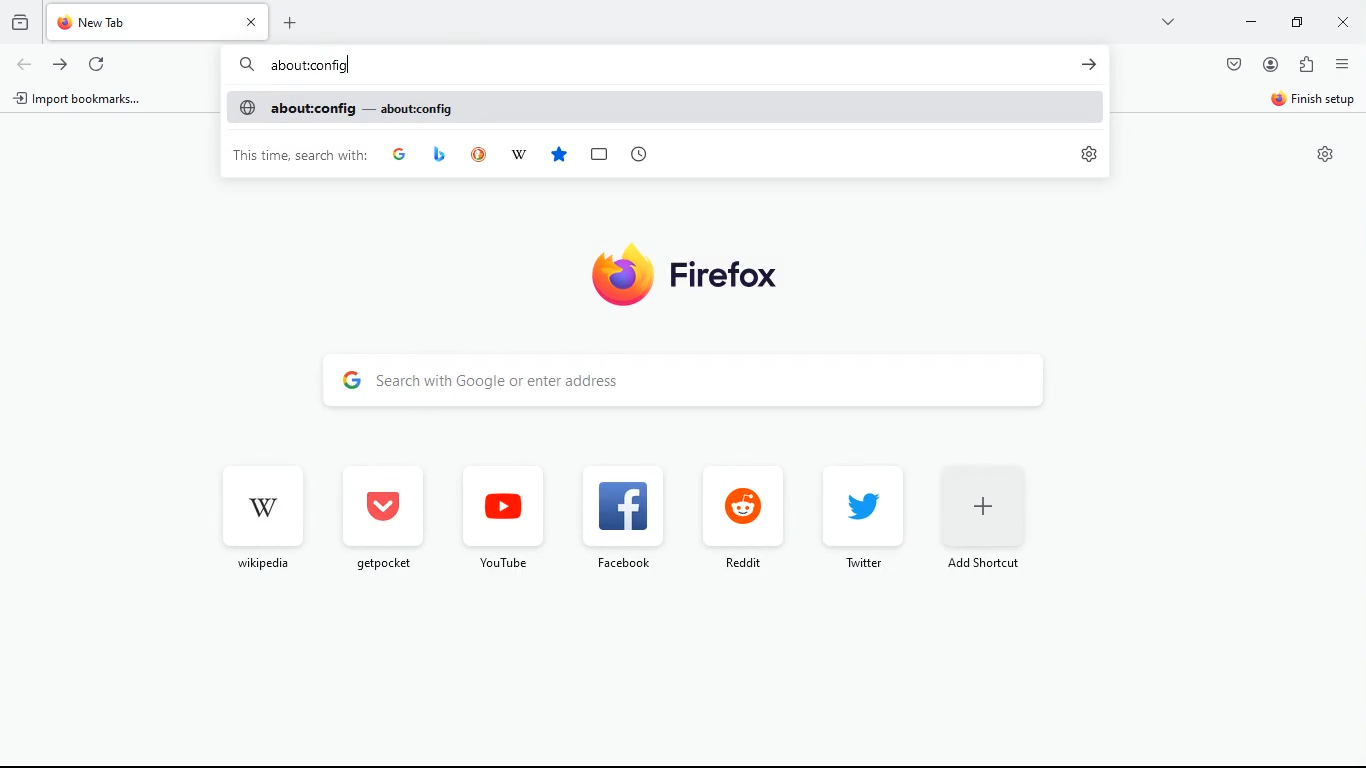 Image resolution: width=1366 pixels, height=768 pixels. Describe the element at coordinates (380, 517) in the screenshot. I see `getpocket` at that location.